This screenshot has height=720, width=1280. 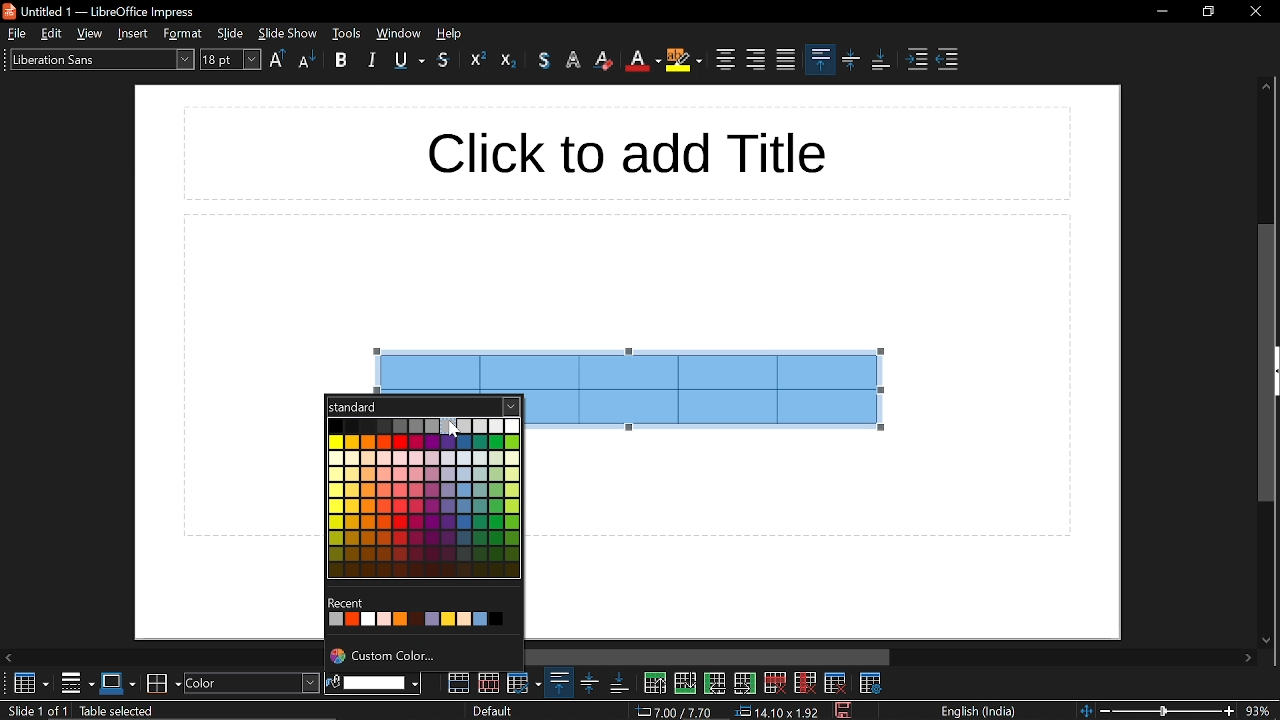 I want to click on text color, so click(x=543, y=60).